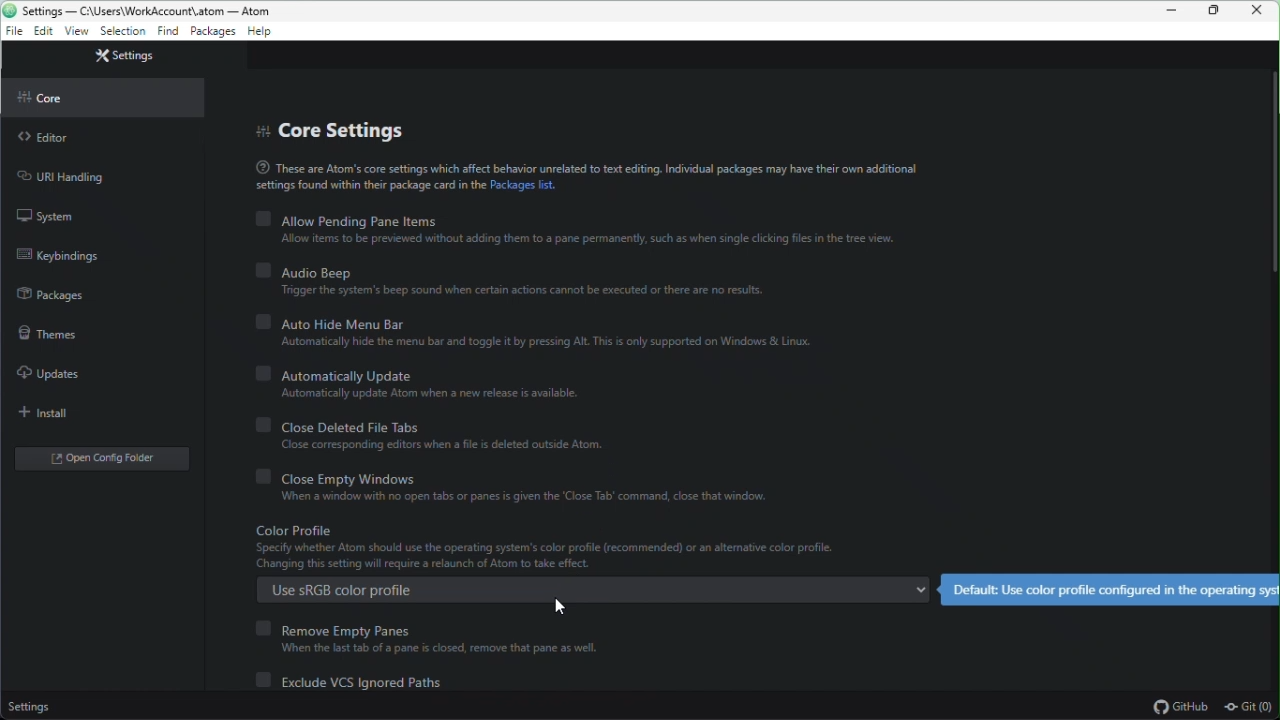 The image size is (1280, 720). What do you see at coordinates (12, 33) in the screenshot?
I see `file` at bounding box center [12, 33].